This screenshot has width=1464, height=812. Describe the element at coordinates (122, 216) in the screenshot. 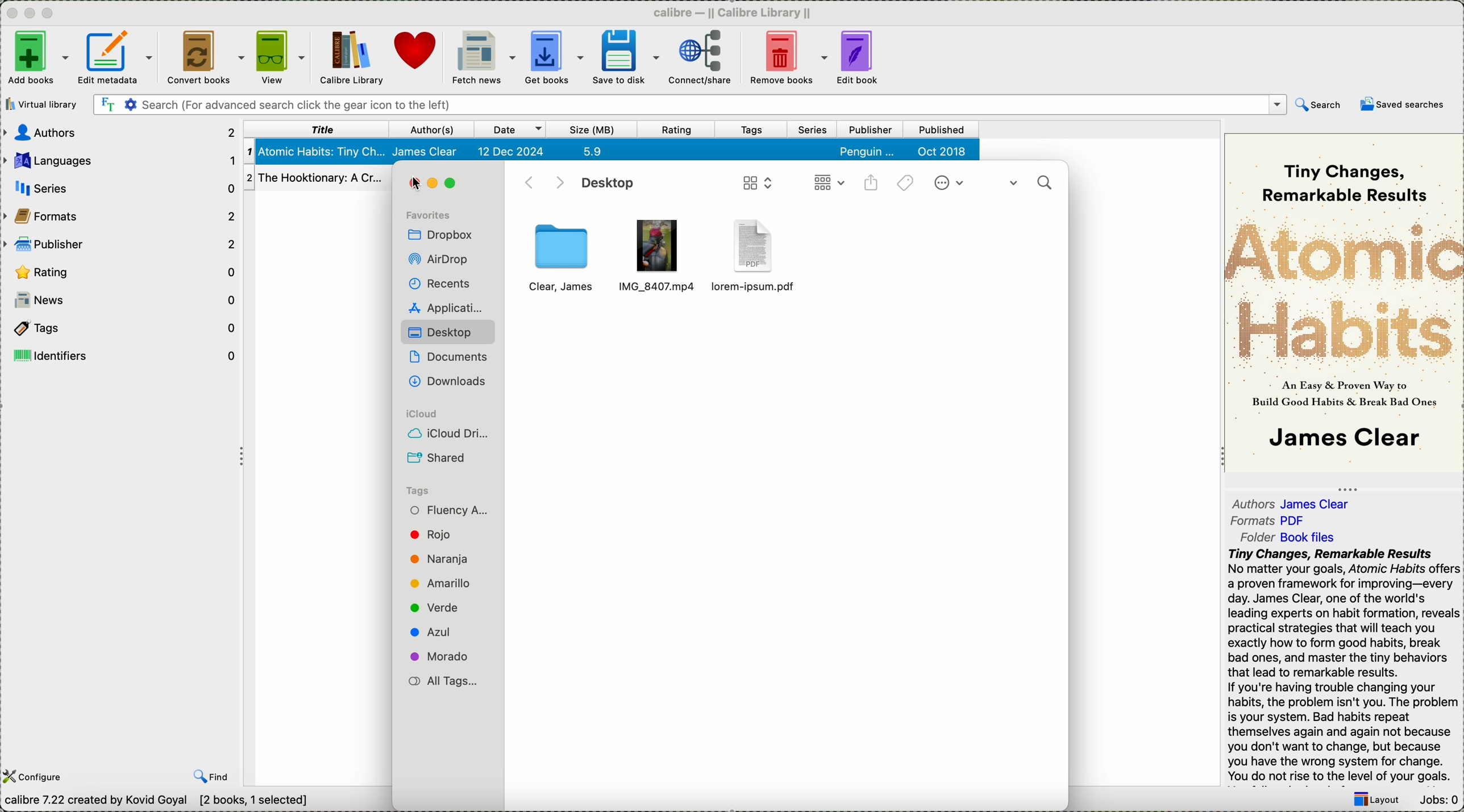

I see `formats` at that location.